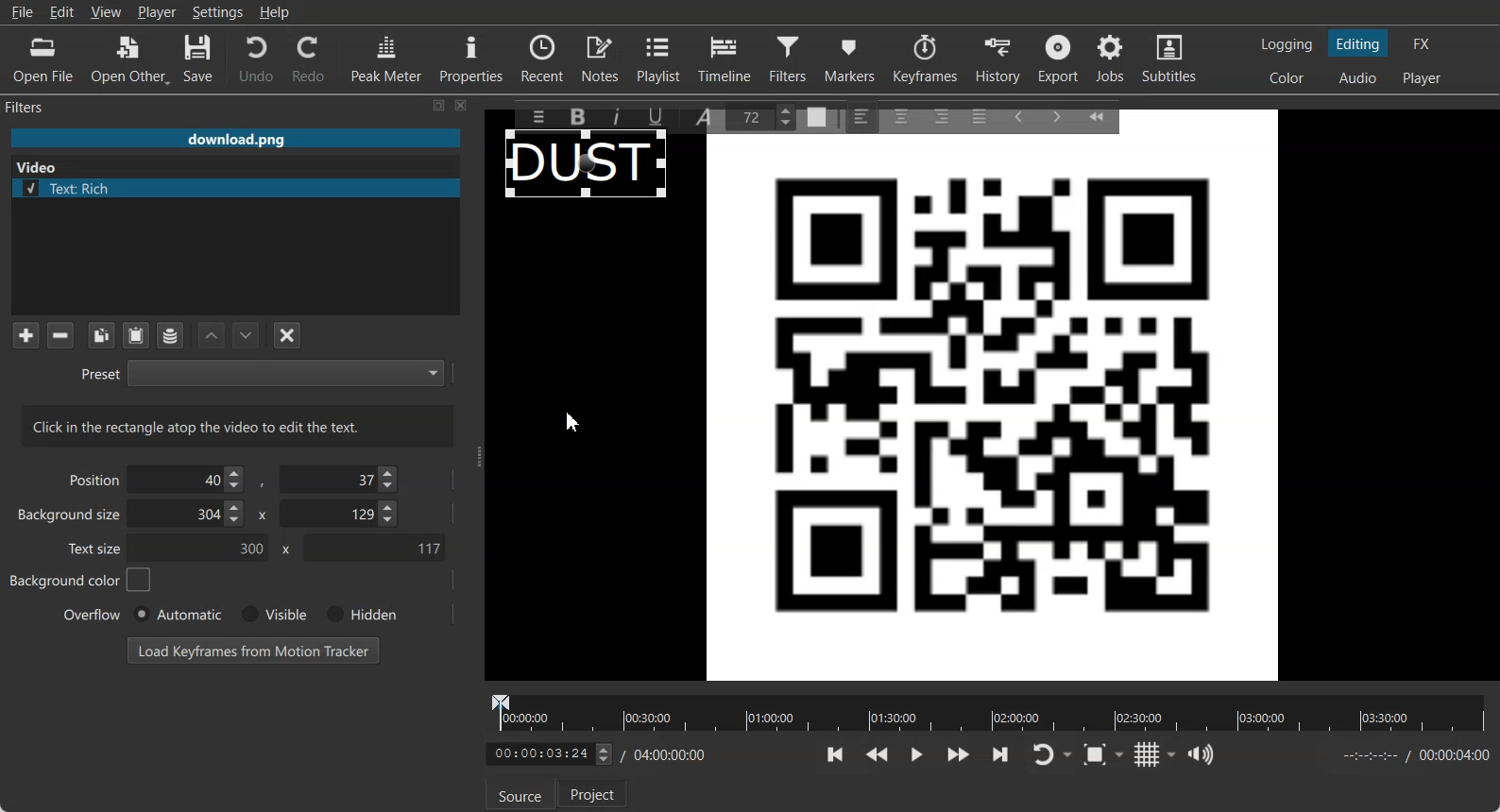  I want to click on Maximize, so click(439, 105).